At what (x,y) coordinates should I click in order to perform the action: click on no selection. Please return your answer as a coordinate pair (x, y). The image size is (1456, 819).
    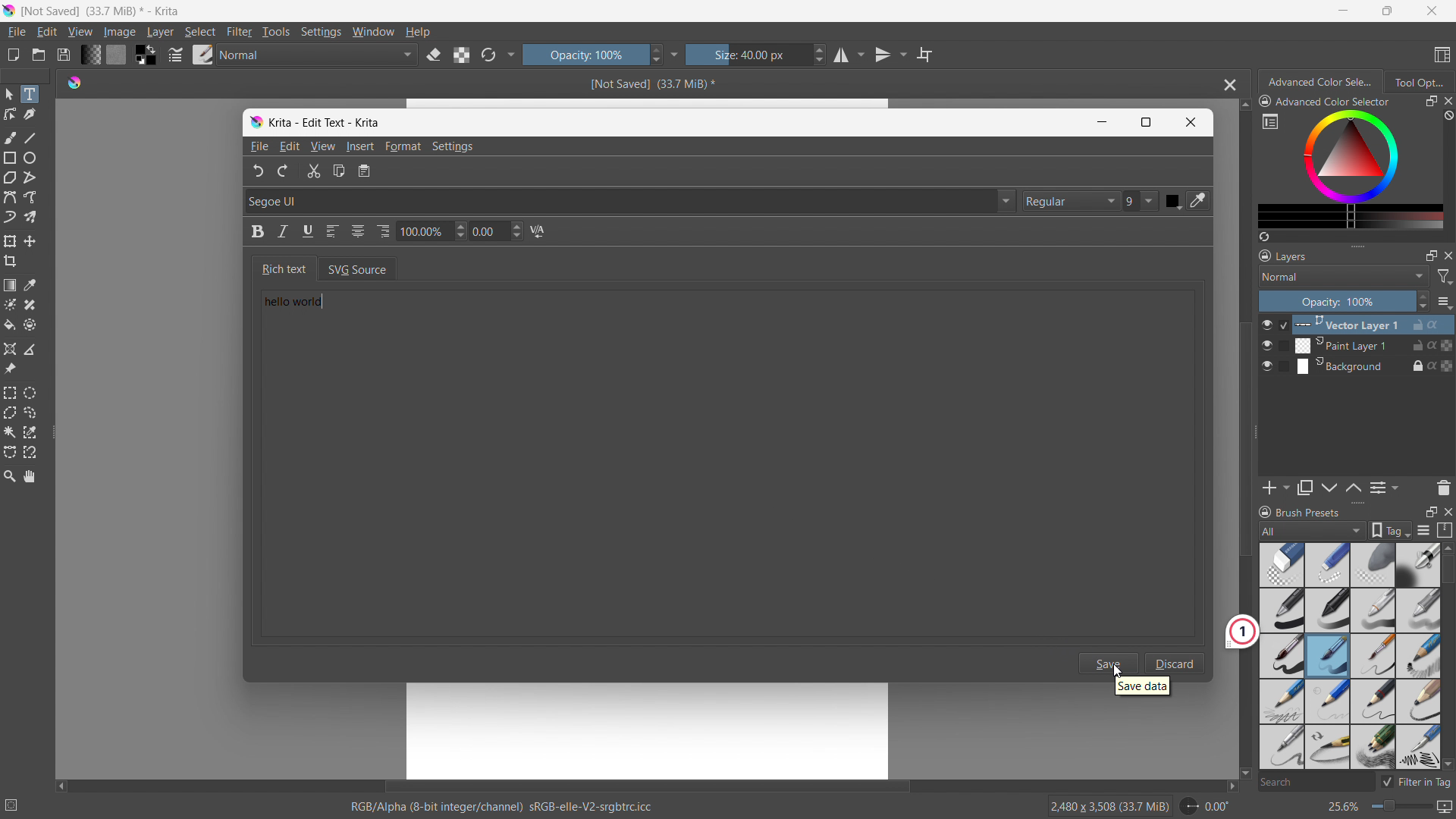
    Looking at the image, I should click on (18, 802).